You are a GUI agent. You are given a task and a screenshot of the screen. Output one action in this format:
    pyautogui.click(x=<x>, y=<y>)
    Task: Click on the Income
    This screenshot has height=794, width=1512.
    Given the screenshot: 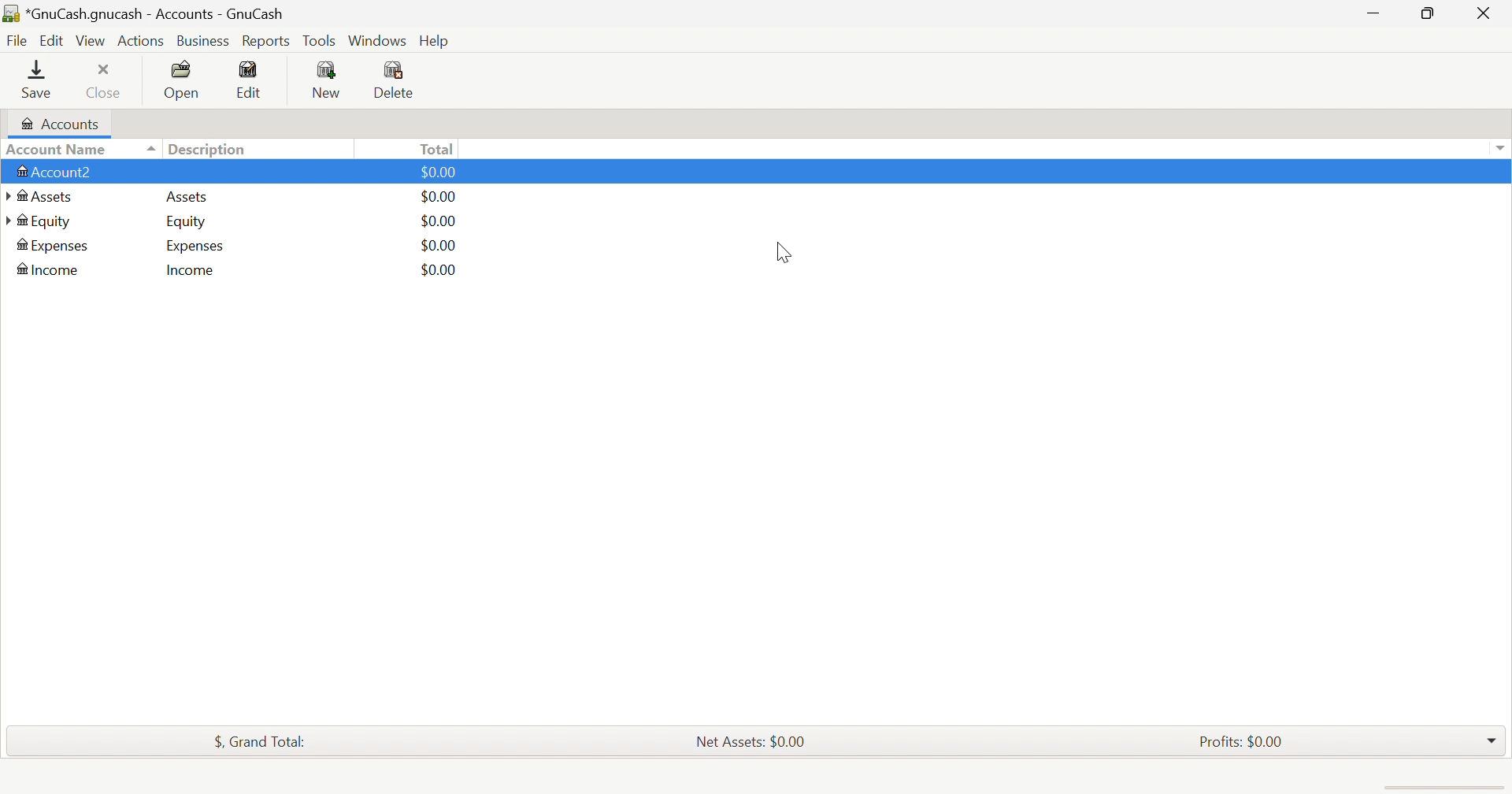 What is the action you would take?
    pyautogui.click(x=191, y=273)
    